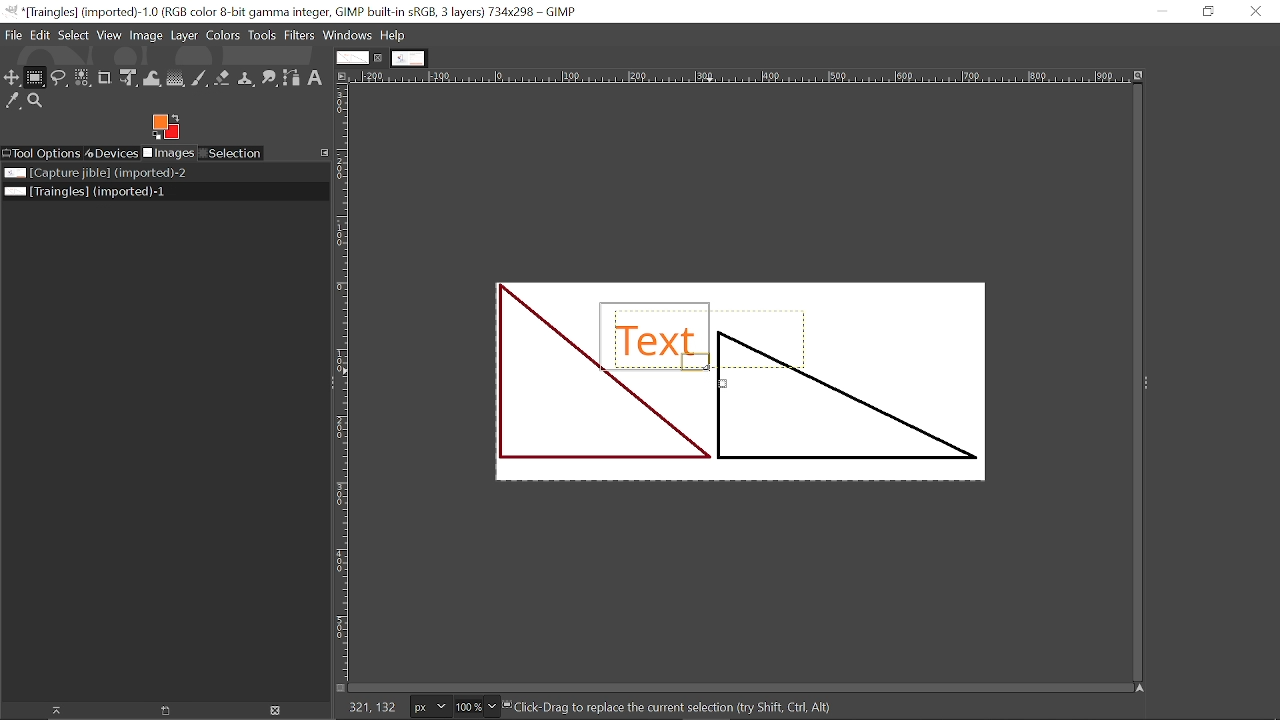 The width and height of the screenshot is (1280, 720). What do you see at coordinates (379, 57) in the screenshot?
I see `Close current tab` at bounding box center [379, 57].